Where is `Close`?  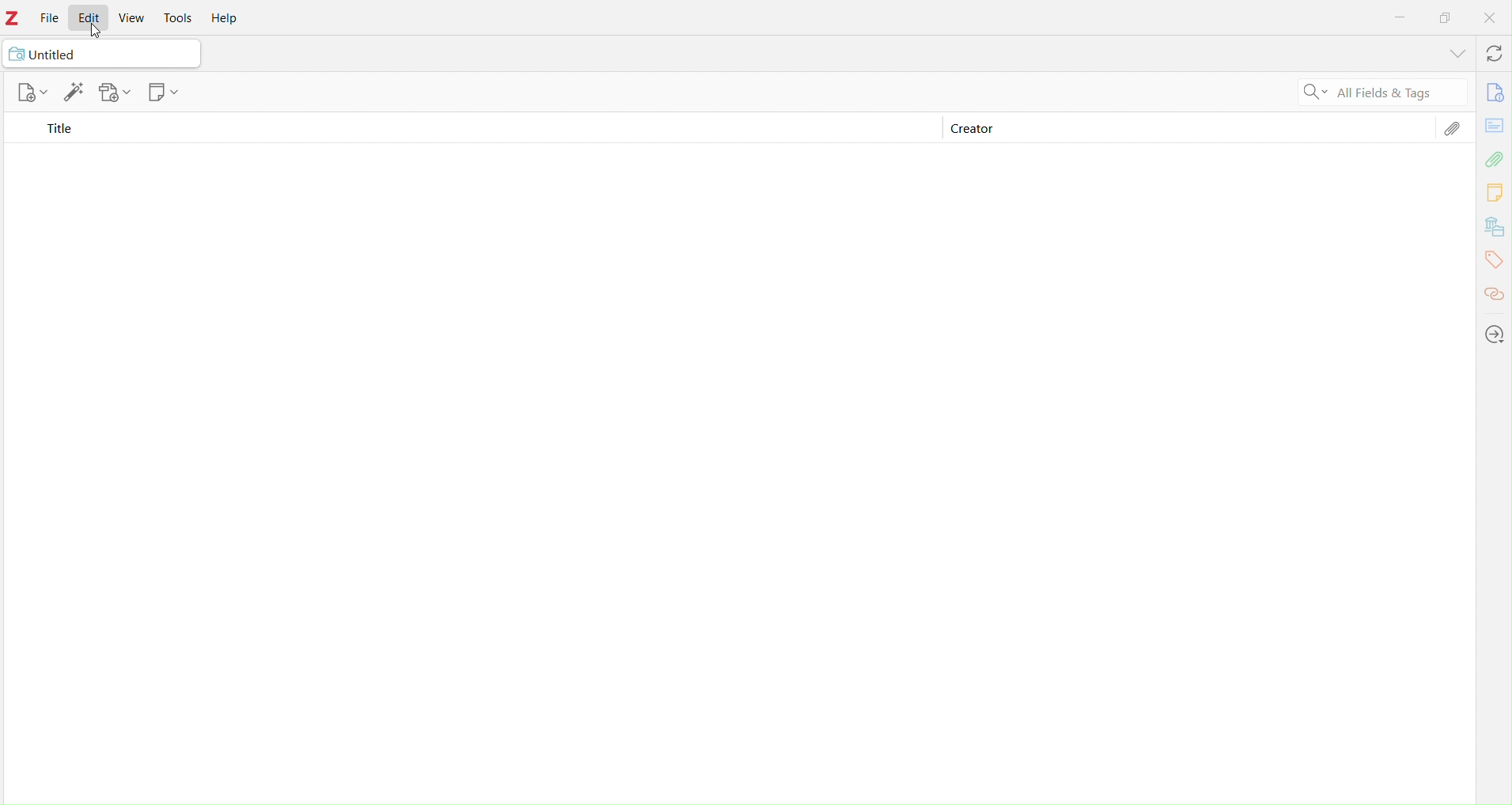 Close is located at coordinates (1491, 18).